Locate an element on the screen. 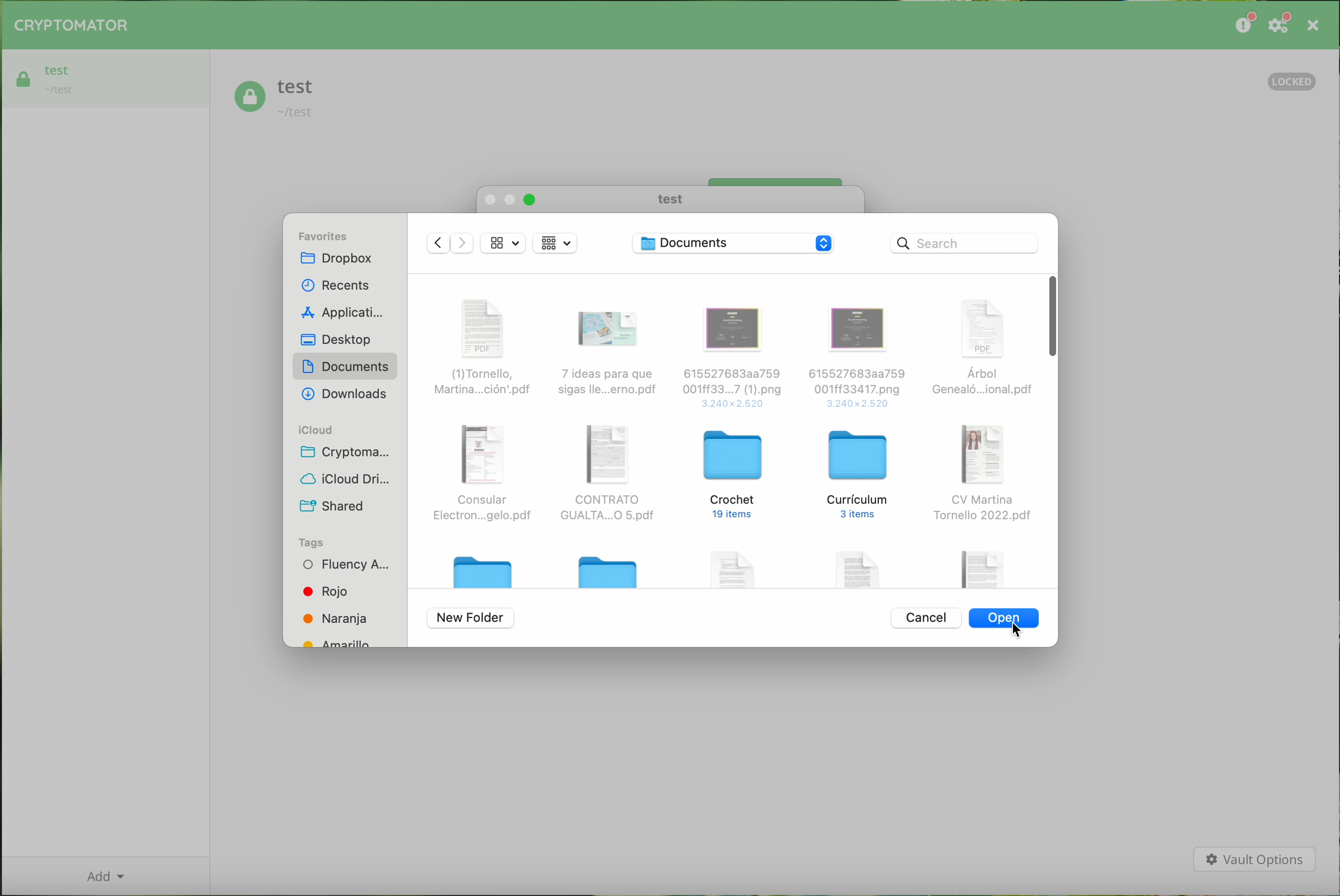  pdf file is located at coordinates (488, 475).